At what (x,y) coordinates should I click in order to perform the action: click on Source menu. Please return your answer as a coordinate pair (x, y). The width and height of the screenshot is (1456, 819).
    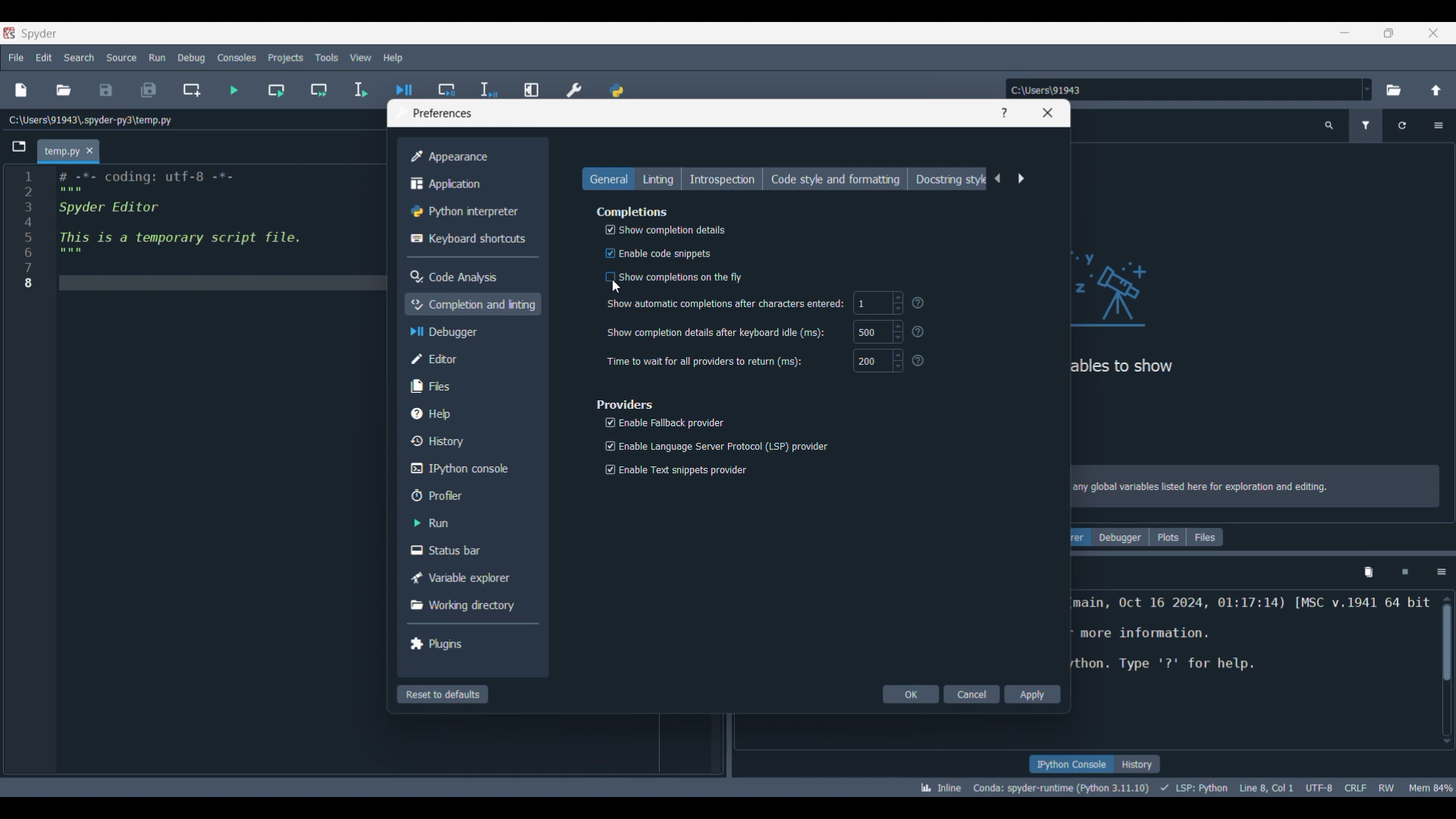
    Looking at the image, I should click on (122, 58).